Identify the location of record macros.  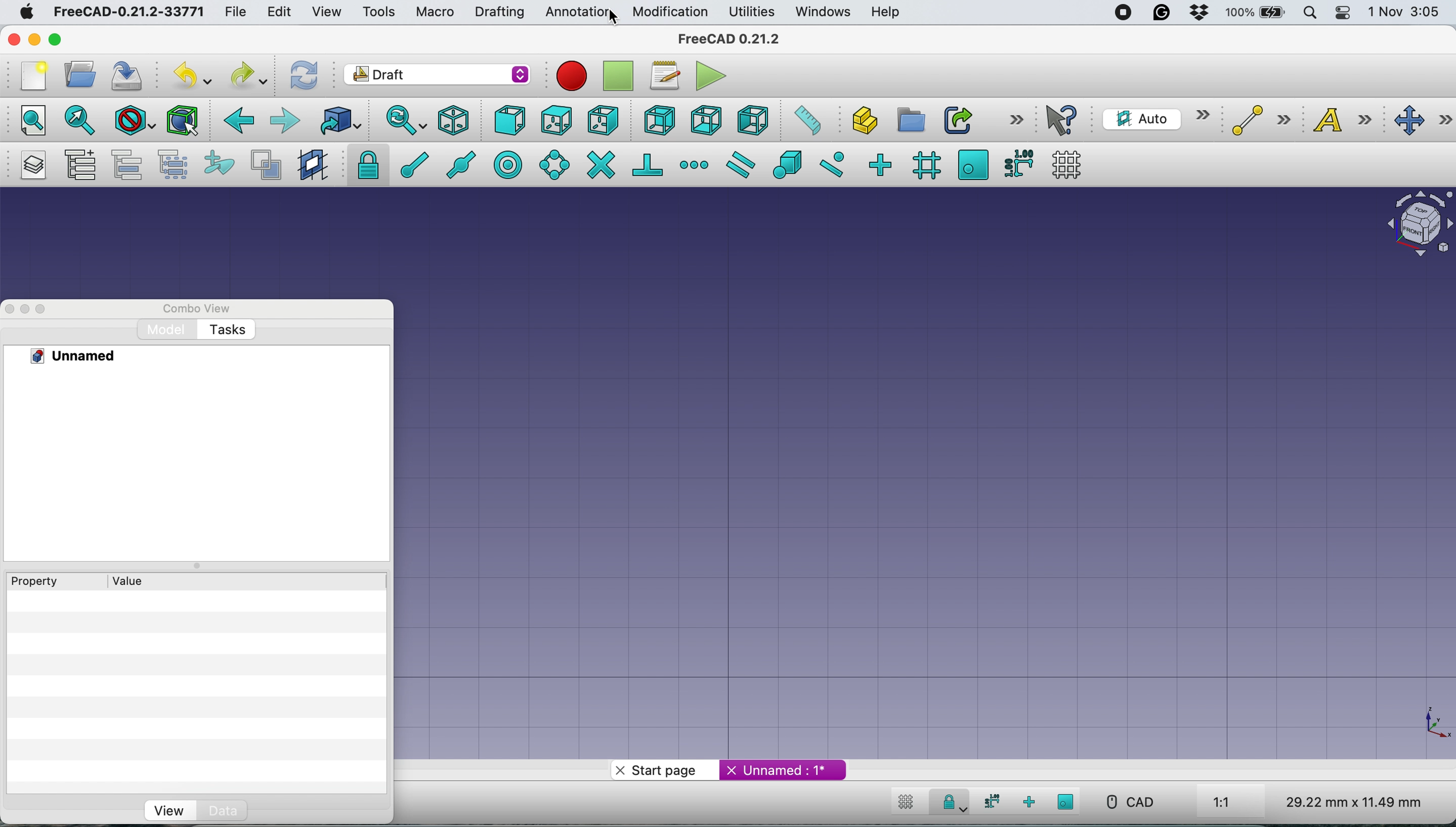
(568, 76).